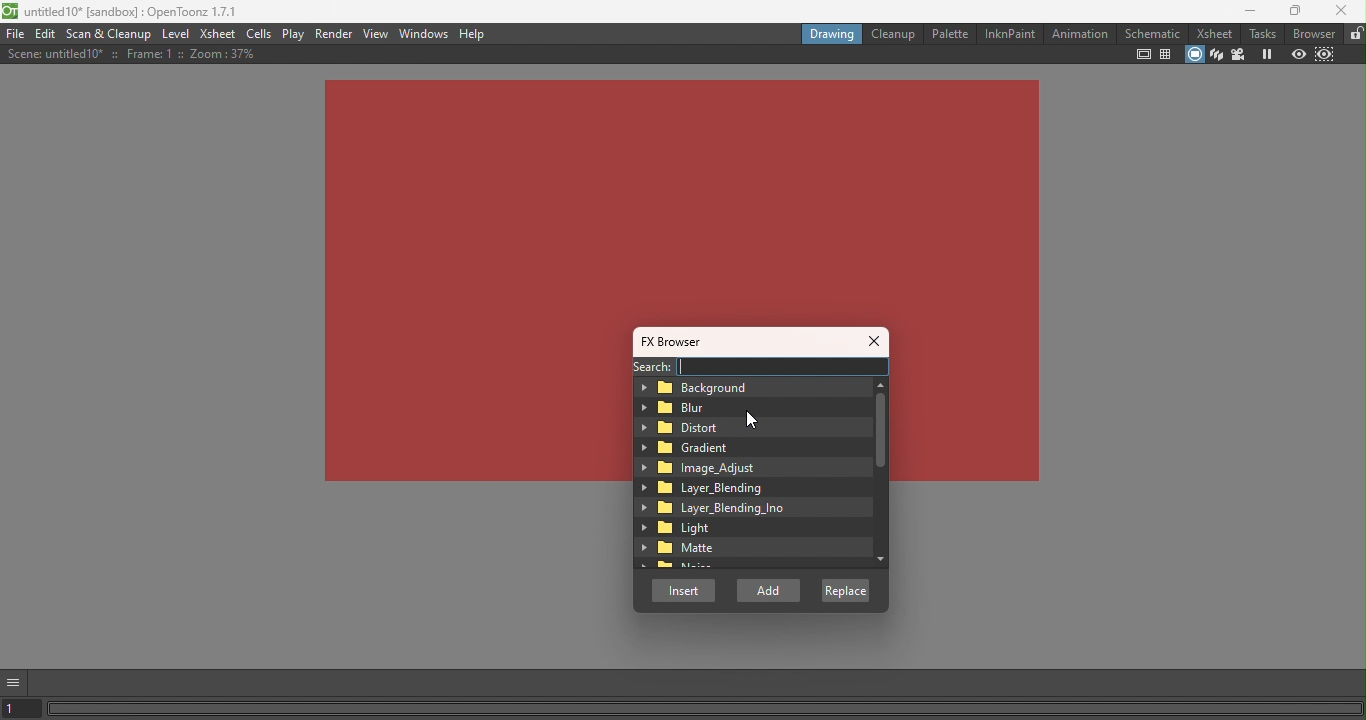  What do you see at coordinates (1211, 32) in the screenshot?
I see `Xsheet` at bounding box center [1211, 32].